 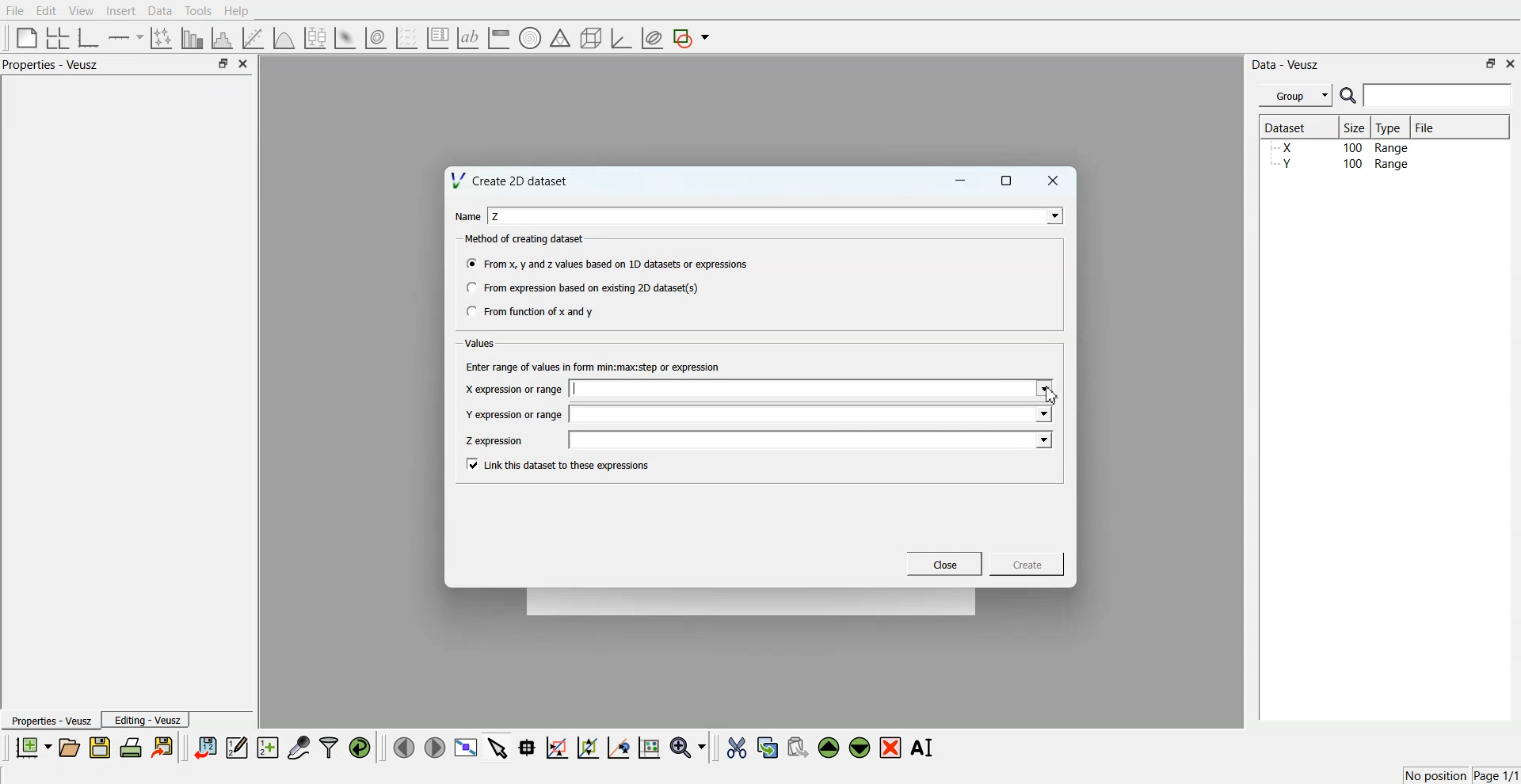 I want to click on Plot bar chart, so click(x=192, y=38).